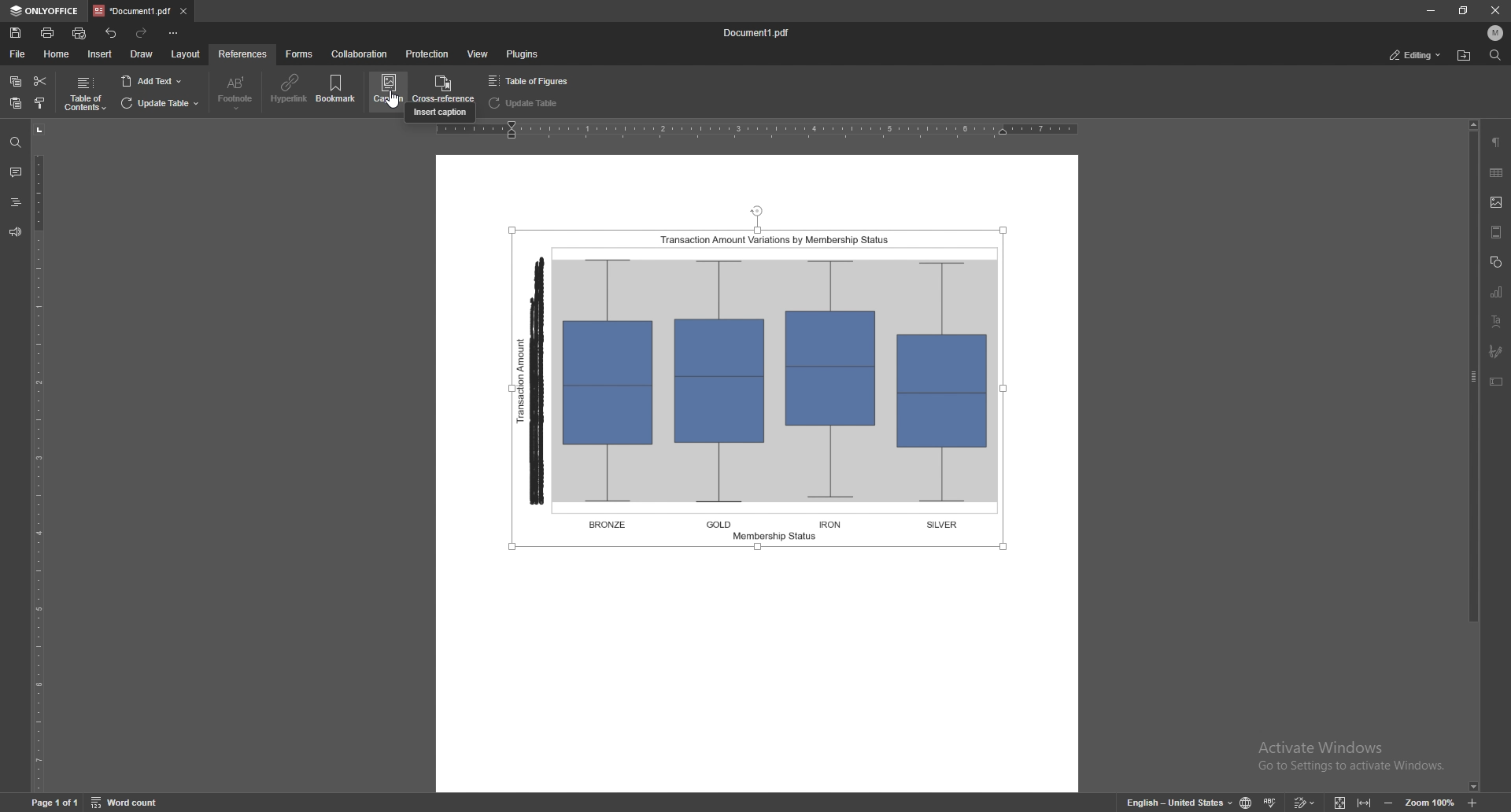 Image resolution: width=1511 pixels, height=812 pixels. What do you see at coordinates (16, 104) in the screenshot?
I see `paste` at bounding box center [16, 104].